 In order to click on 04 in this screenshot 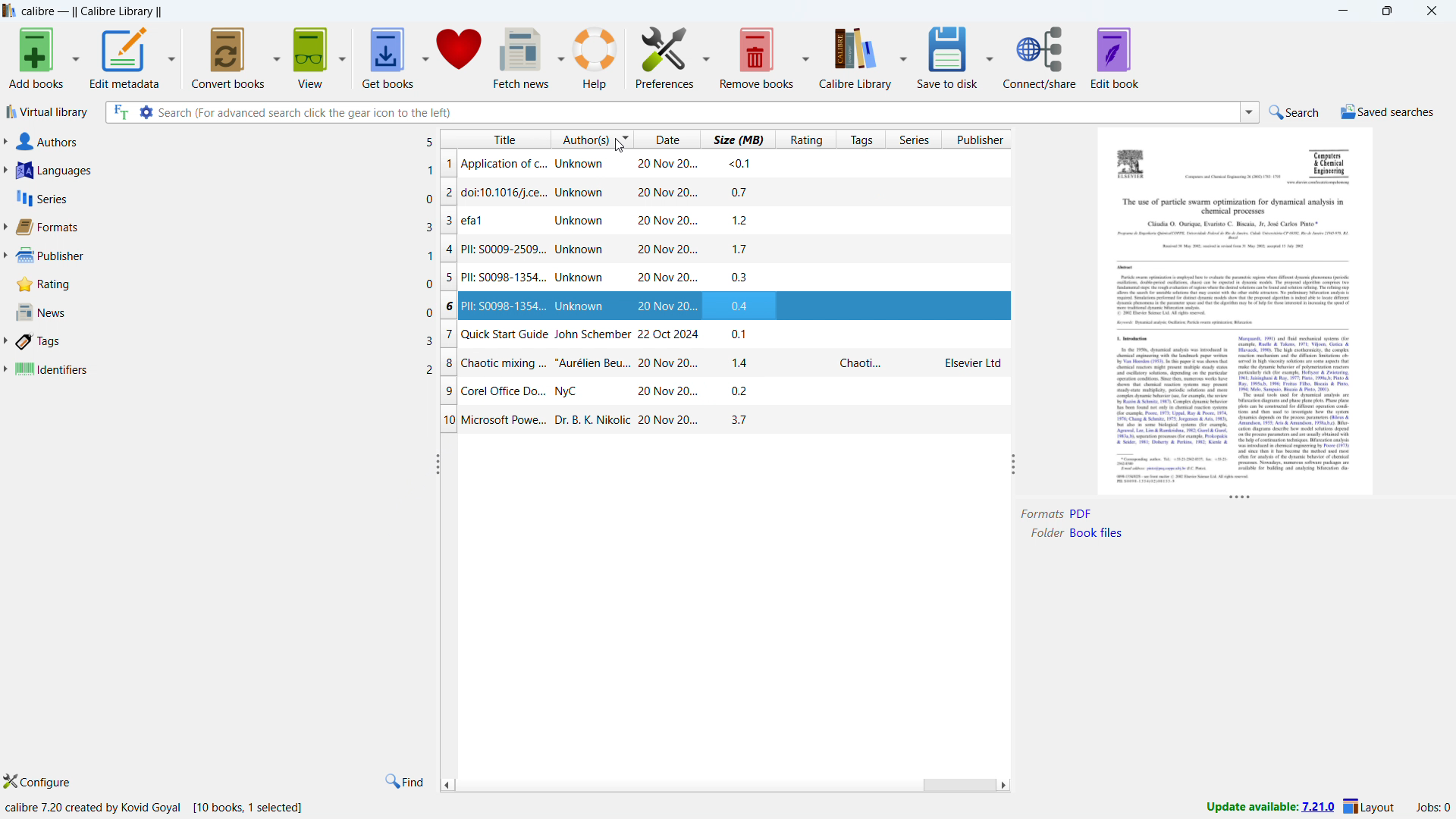, I will do `click(745, 306)`.